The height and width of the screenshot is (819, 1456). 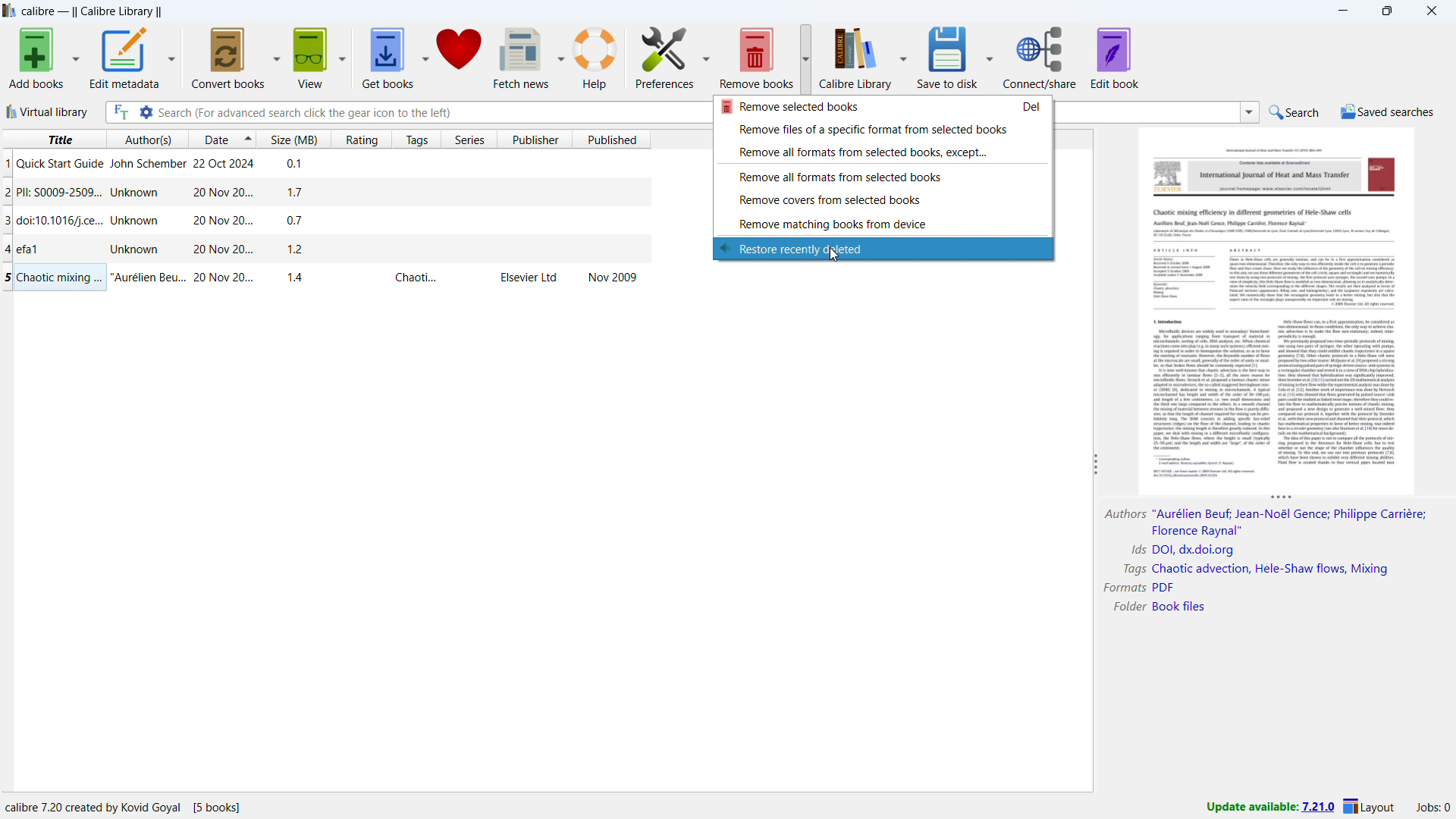 I want to click on restore recently deleted, so click(x=883, y=248).